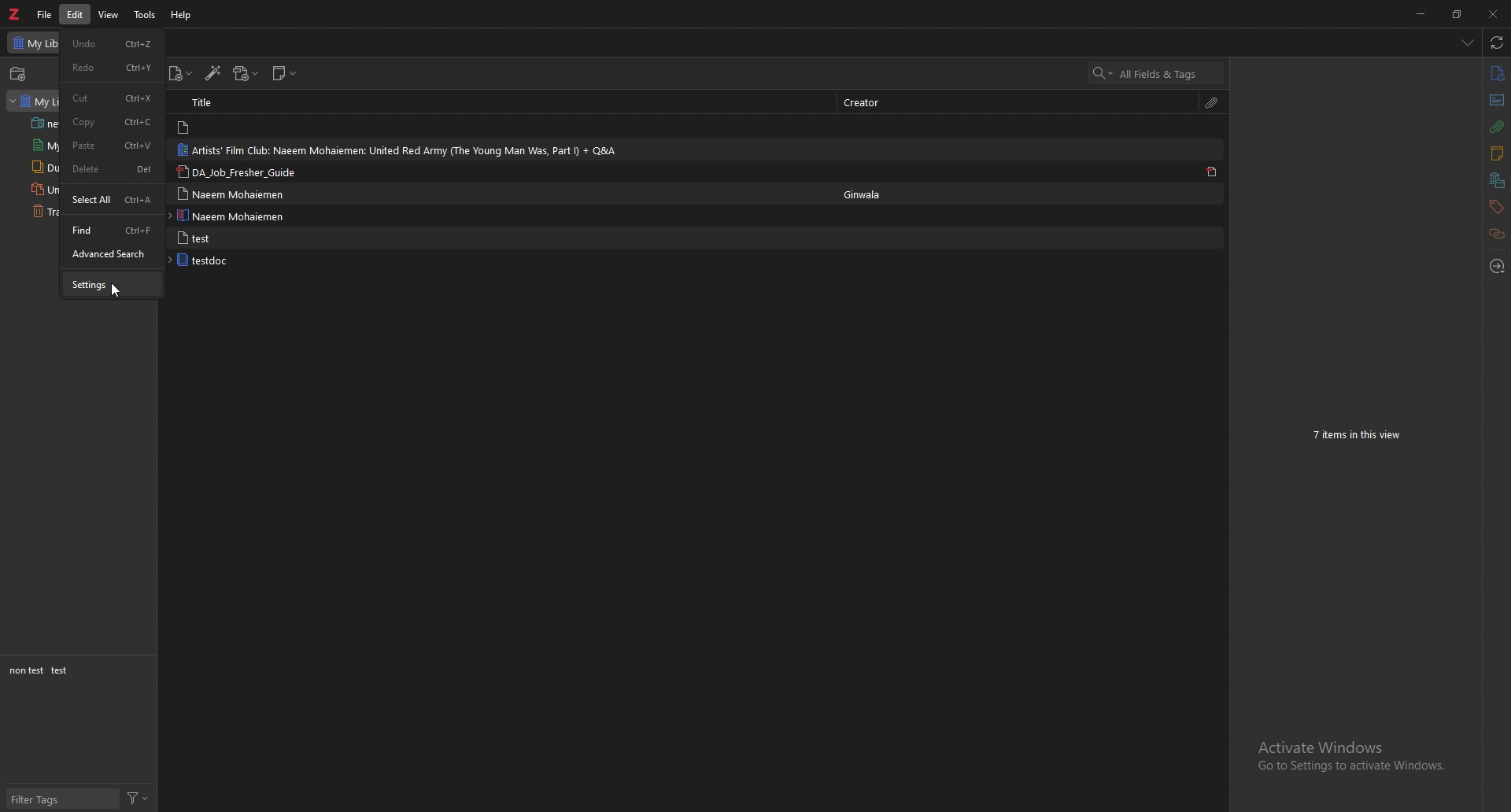 The image size is (1511, 812). Describe the element at coordinates (285, 72) in the screenshot. I see `new note` at that location.